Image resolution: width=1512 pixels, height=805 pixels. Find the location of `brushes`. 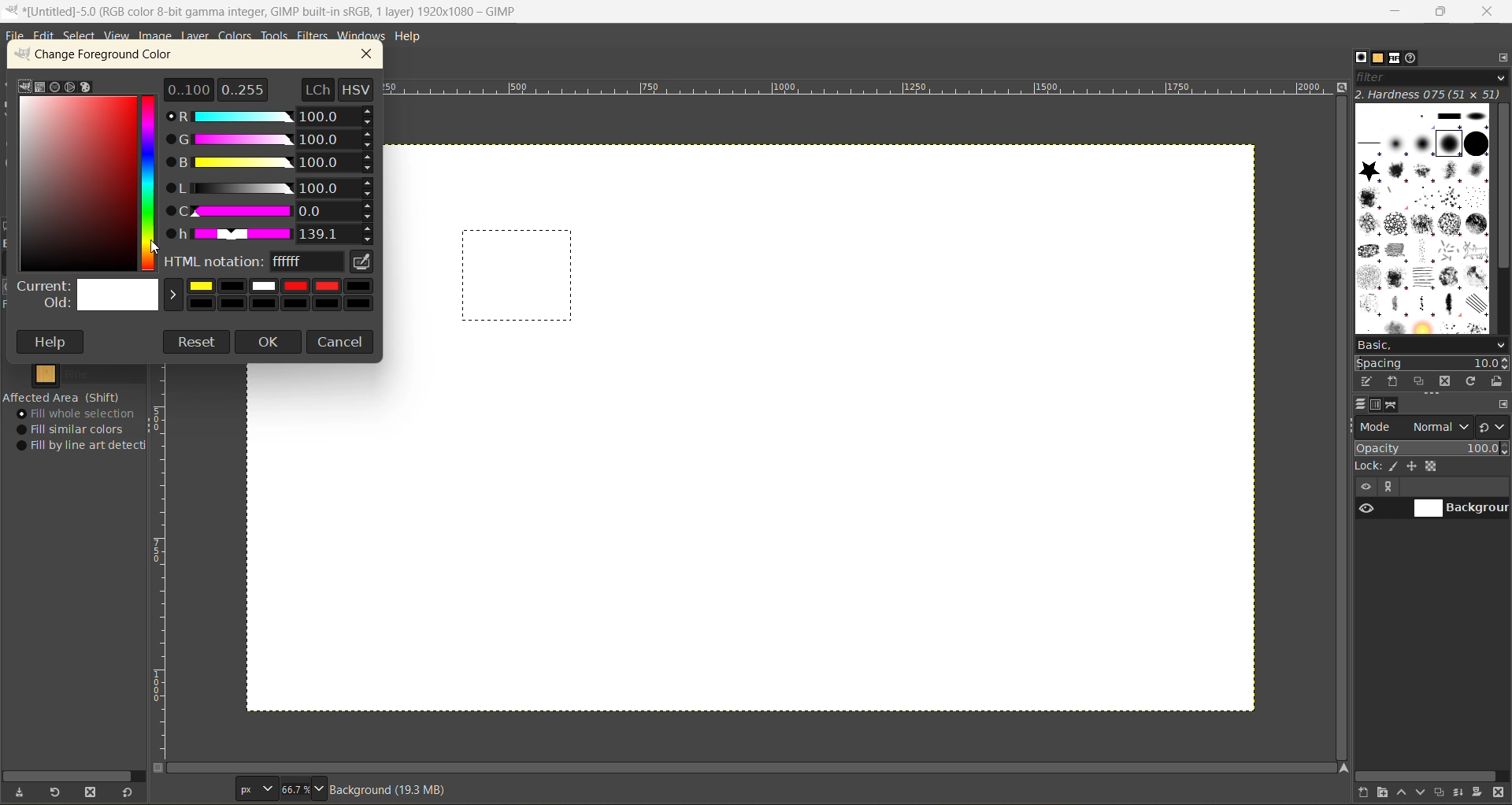

brushes is located at coordinates (1361, 58).